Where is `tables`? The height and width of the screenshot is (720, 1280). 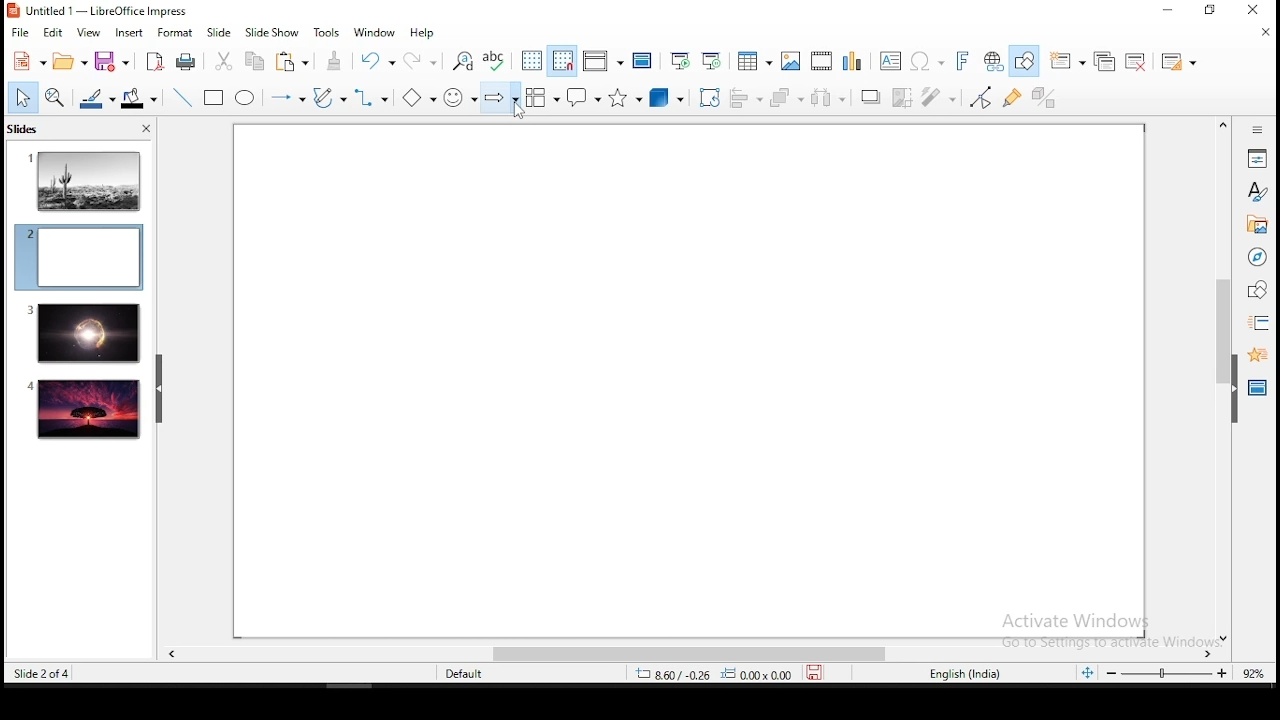 tables is located at coordinates (753, 58).